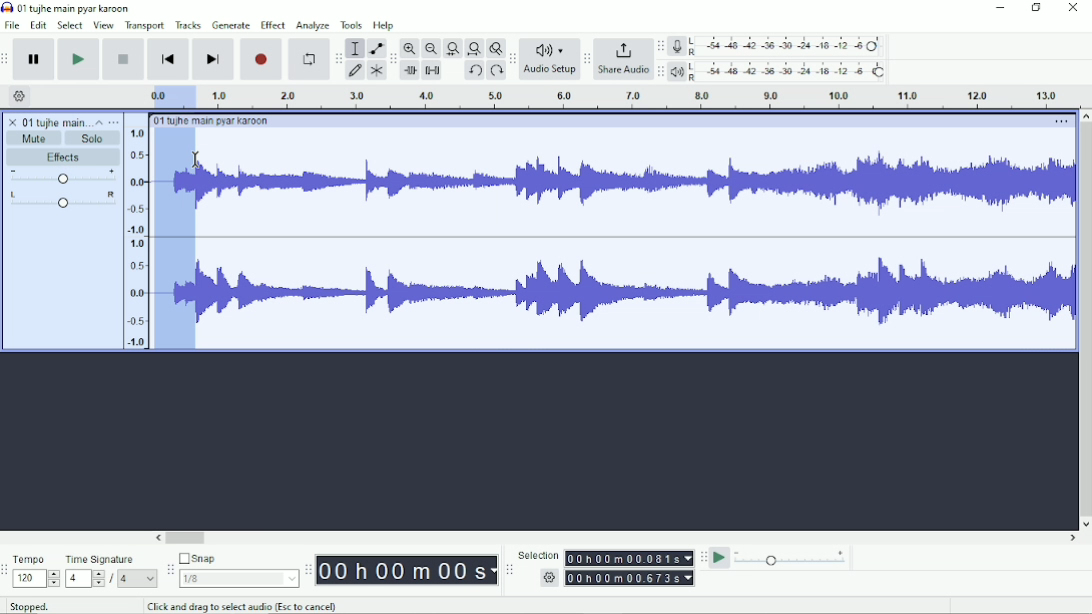 The height and width of the screenshot is (614, 1092). What do you see at coordinates (779, 46) in the screenshot?
I see `Record Meter` at bounding box center [779, 46].